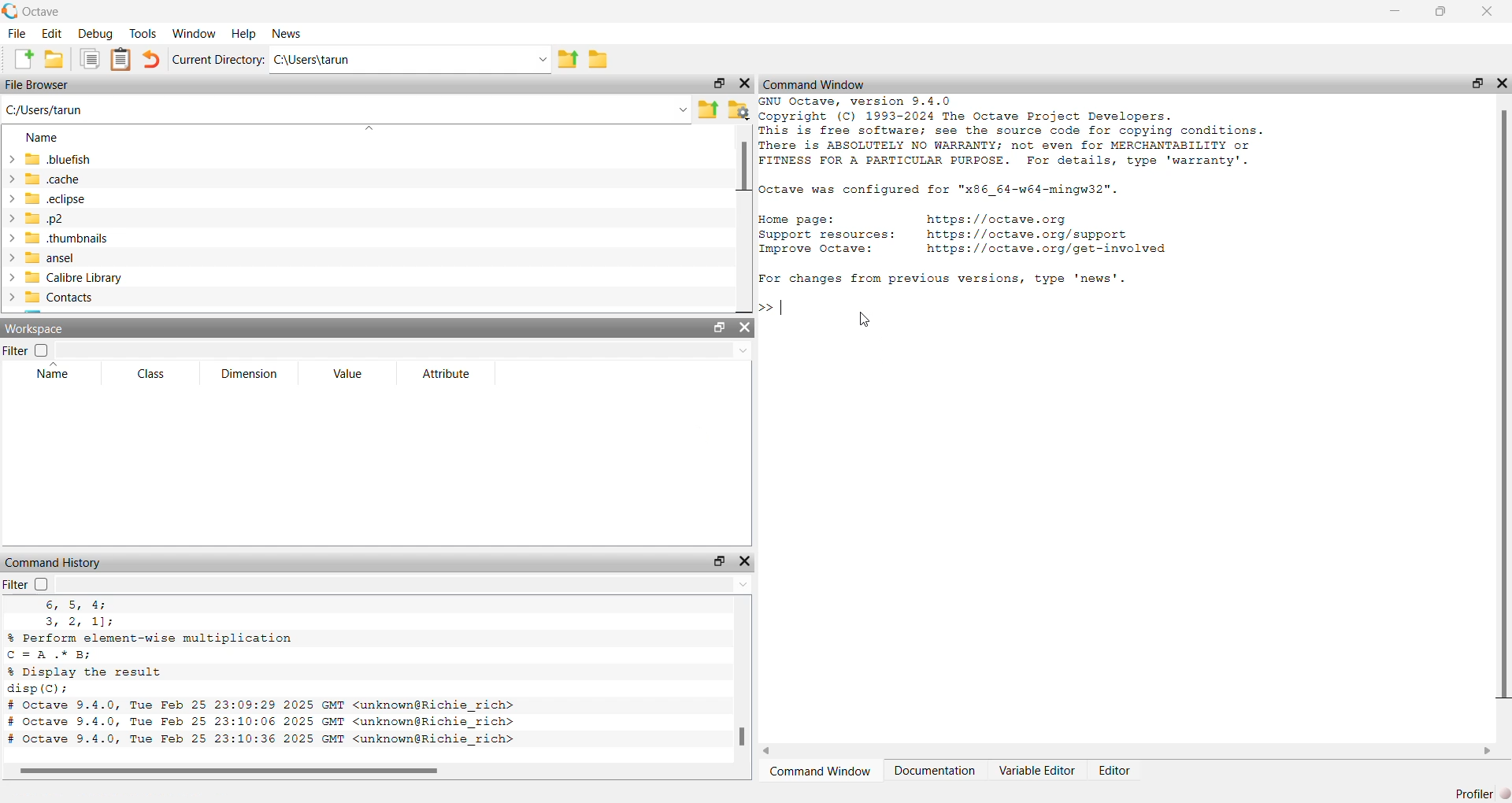  I want to click on minimize, so click(1395, 13).